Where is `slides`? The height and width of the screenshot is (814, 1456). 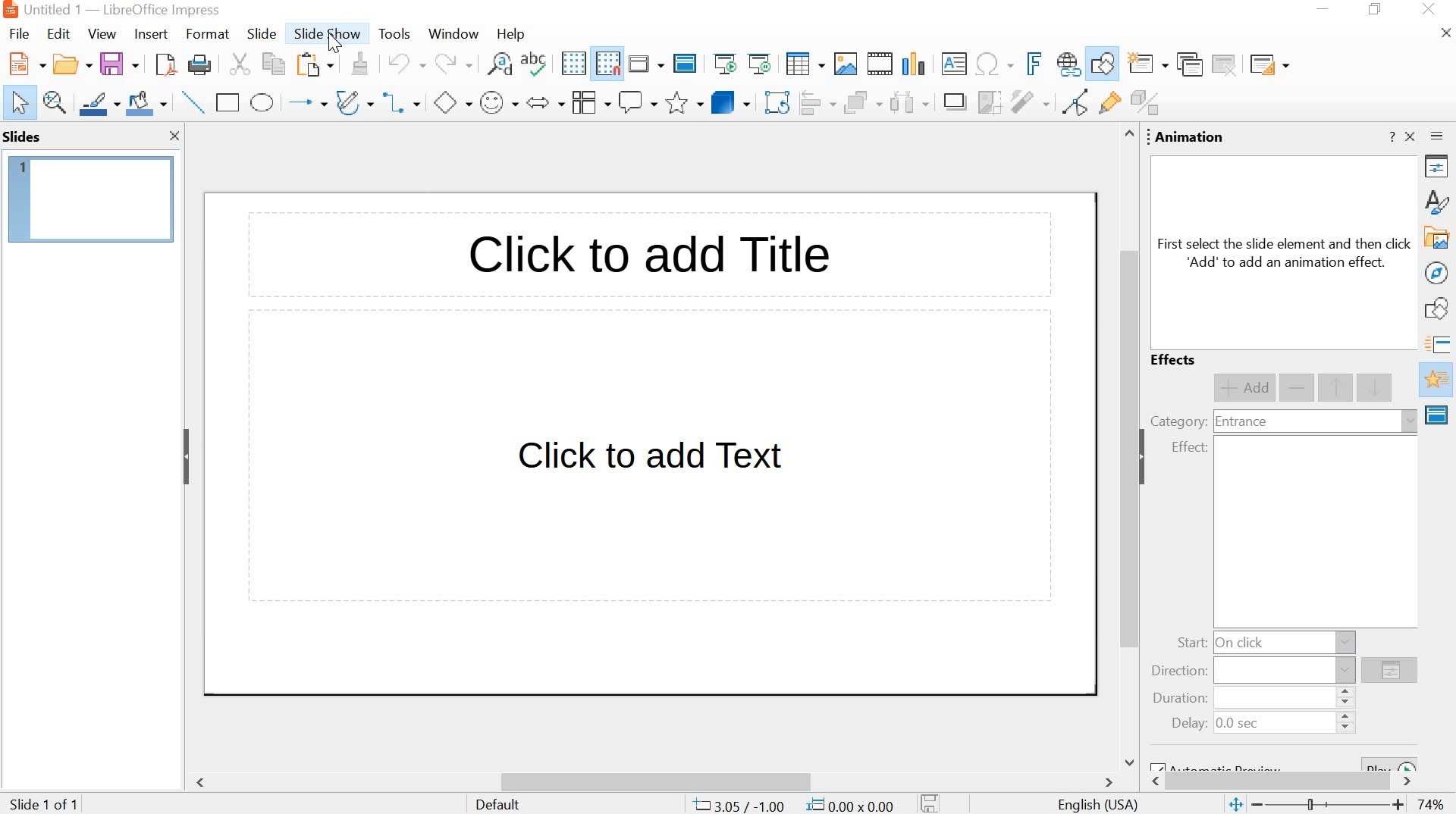 slides is located at coordinates (25, 136).